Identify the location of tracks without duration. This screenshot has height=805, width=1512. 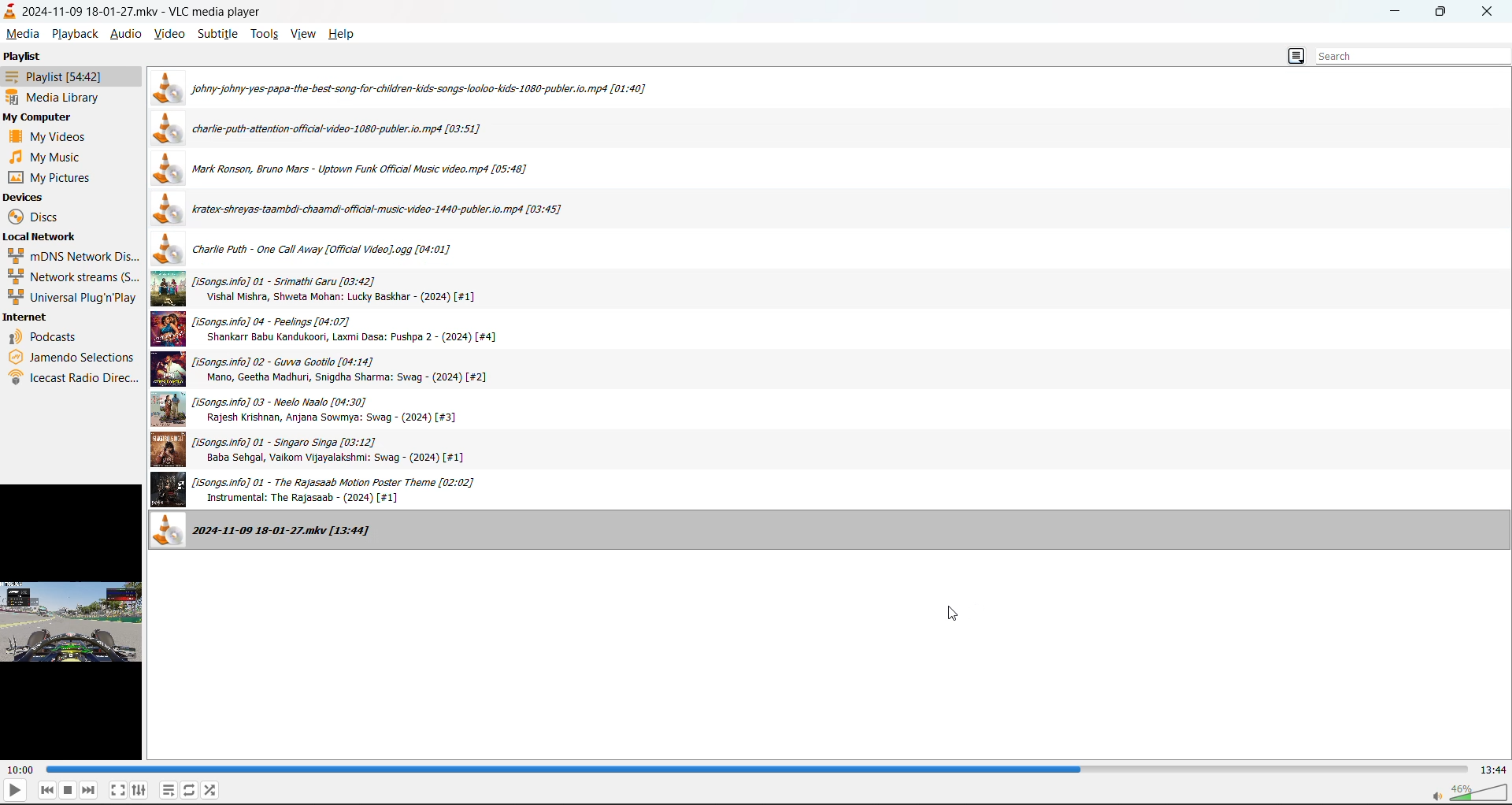
(316, 290).